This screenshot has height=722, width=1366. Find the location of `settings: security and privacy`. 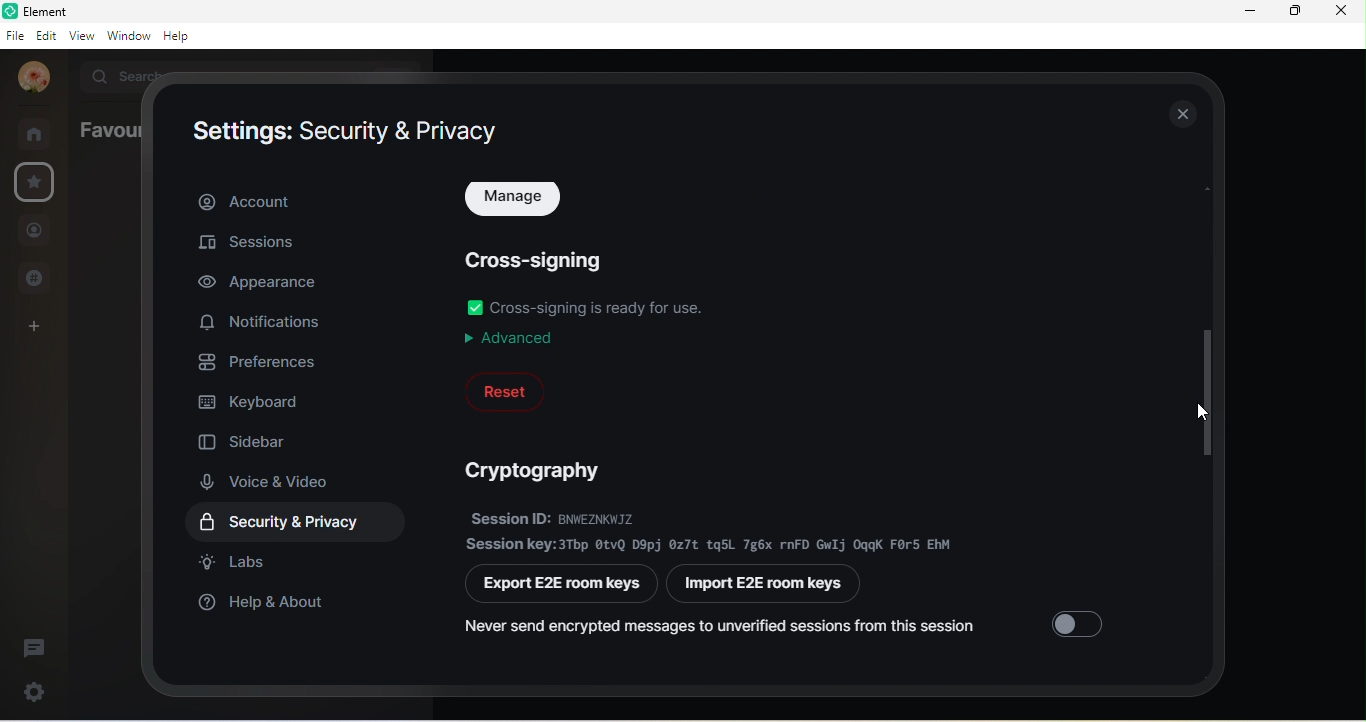

settings: security and privacy is located at coordinates (347, 132).